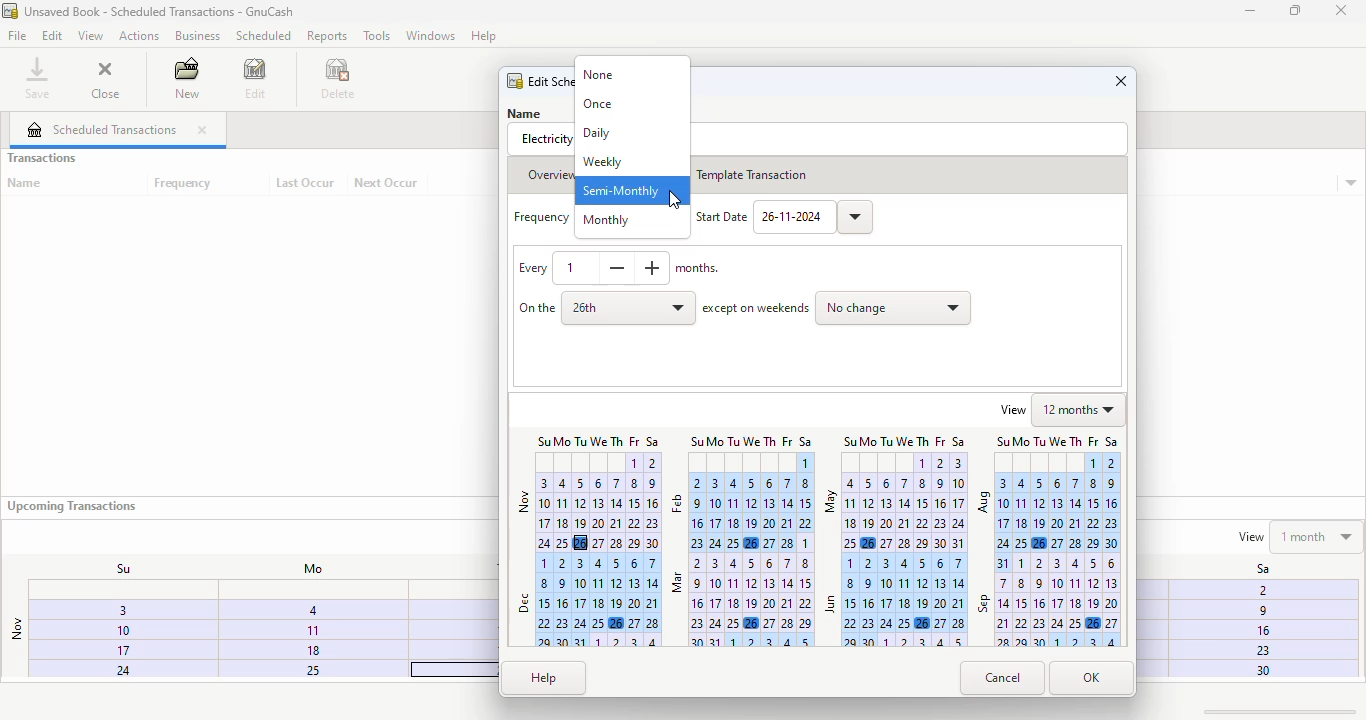 The width and height of the screenshot is (1366, 720). I want to click on increase, so click(653, 268).